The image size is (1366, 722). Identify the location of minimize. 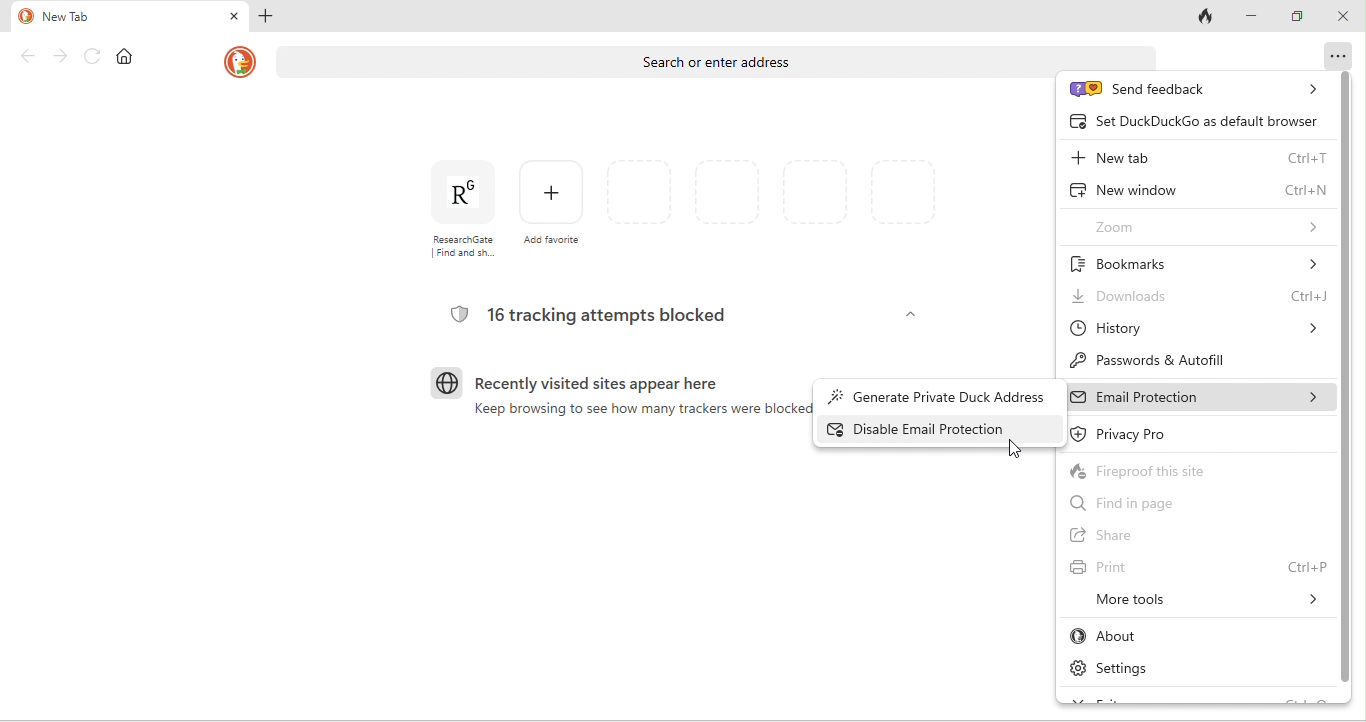
(1256, 17).